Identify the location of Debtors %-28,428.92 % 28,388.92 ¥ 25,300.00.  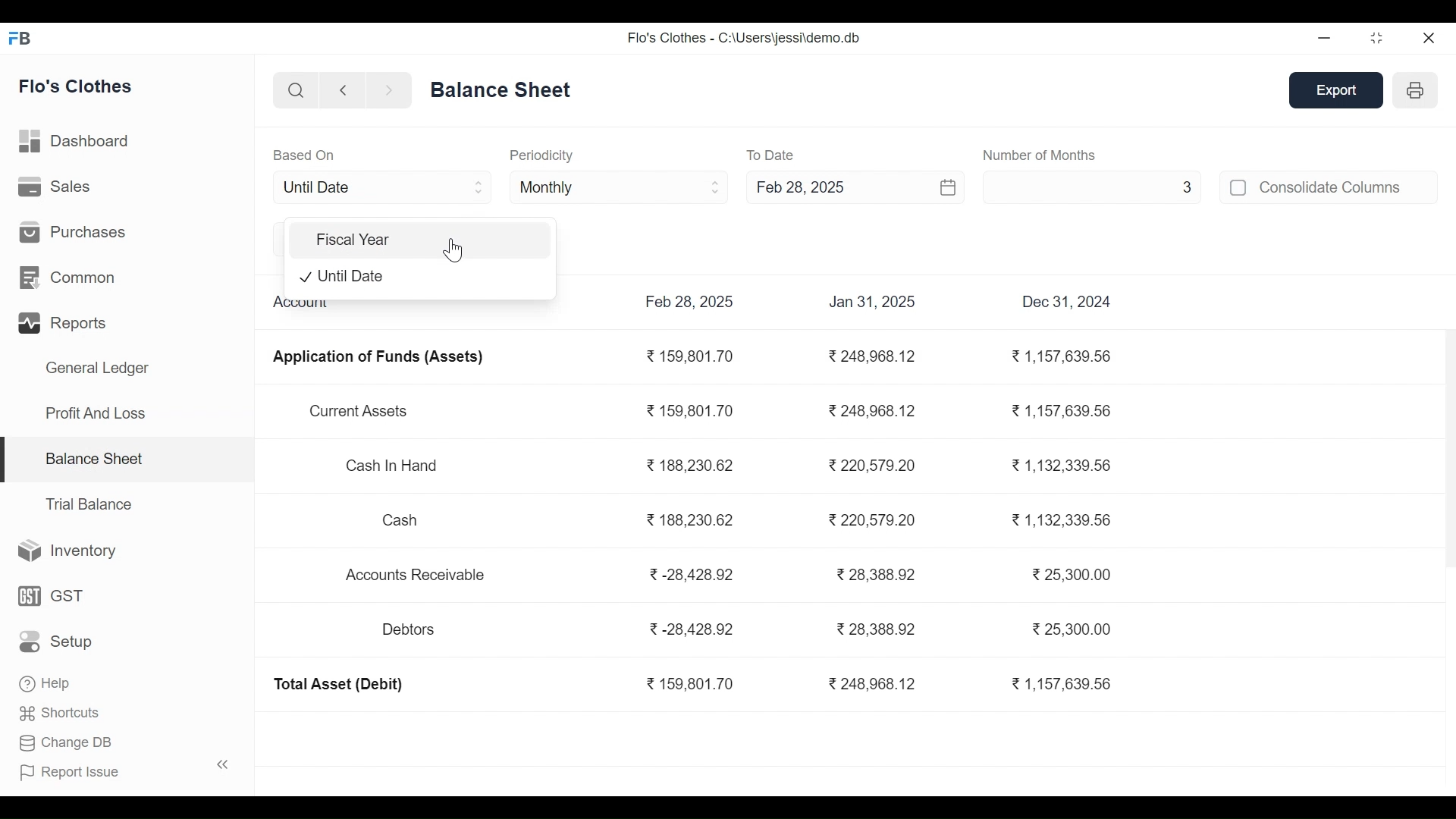
(745, 630).